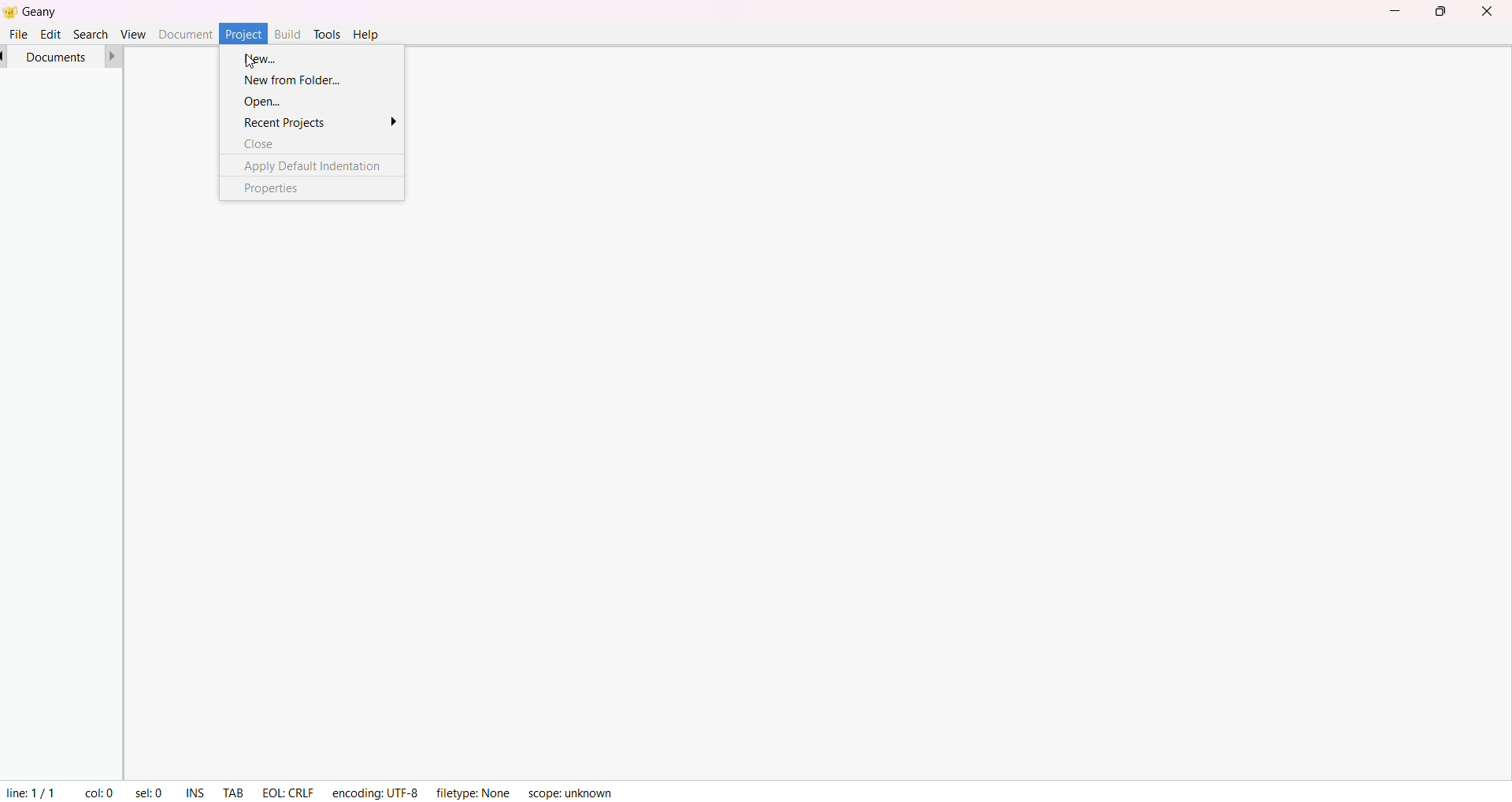 This screenshot has width=1512, height=802. Describe the element at coordinates (185, 33) in the screenshot. I see `document` at that location.